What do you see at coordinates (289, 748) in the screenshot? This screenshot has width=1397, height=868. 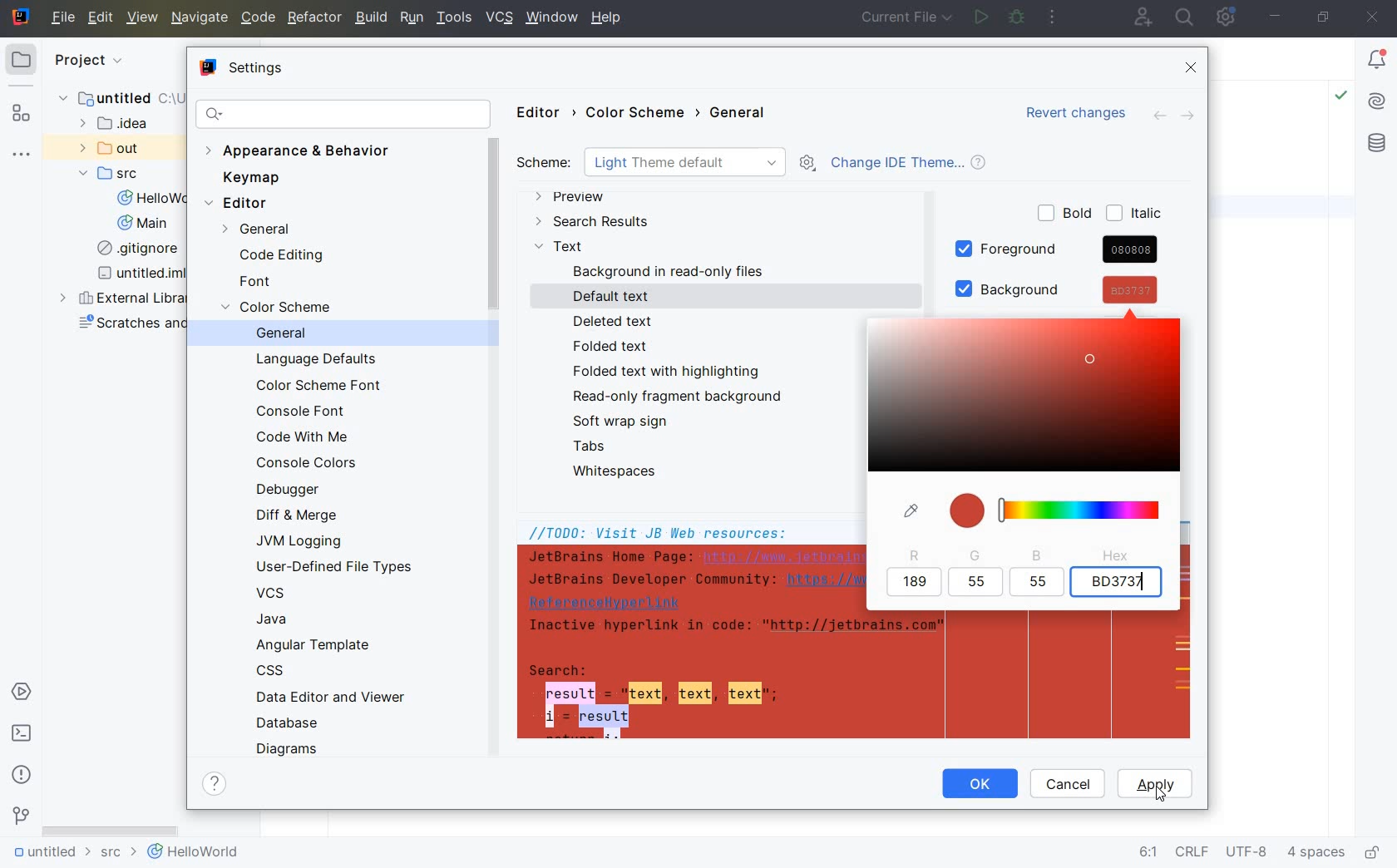 I see `DIAGRAMS` at bounding box center [289, 748].